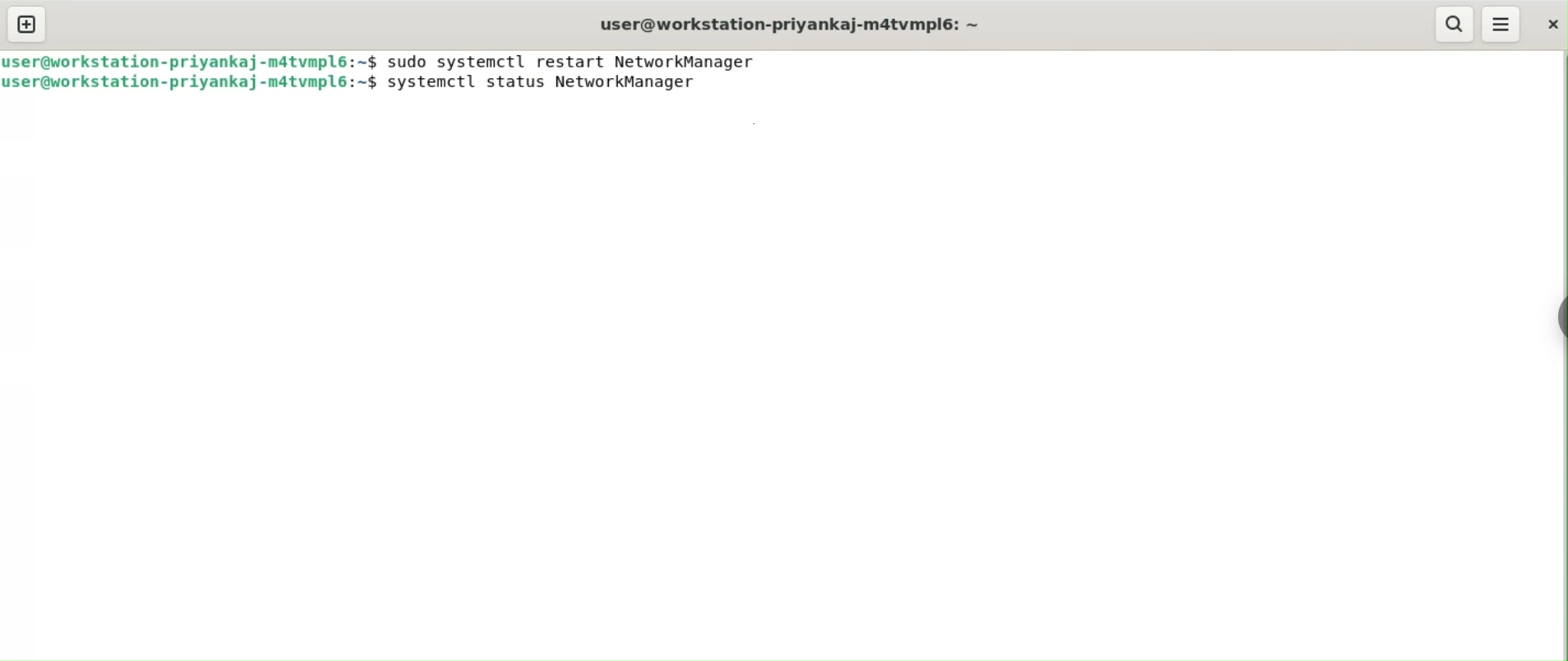 The height and width of the screenshot is (661, 1568). What do you see at coordinates (1453, 25) in the screenshot?
I see `search` at bounding box center [1453, 25].